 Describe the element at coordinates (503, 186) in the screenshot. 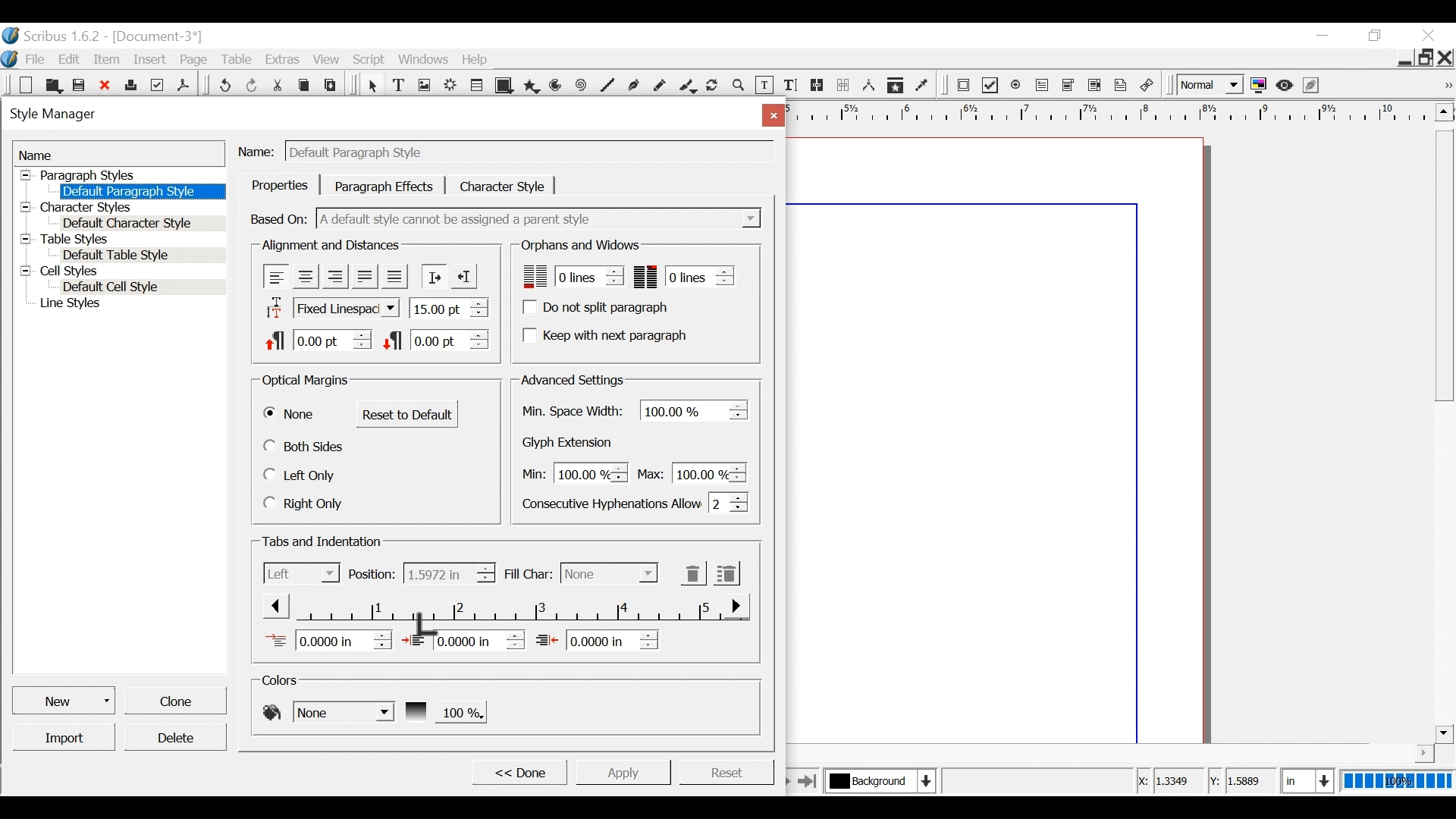

I see `Character Style` at that location.